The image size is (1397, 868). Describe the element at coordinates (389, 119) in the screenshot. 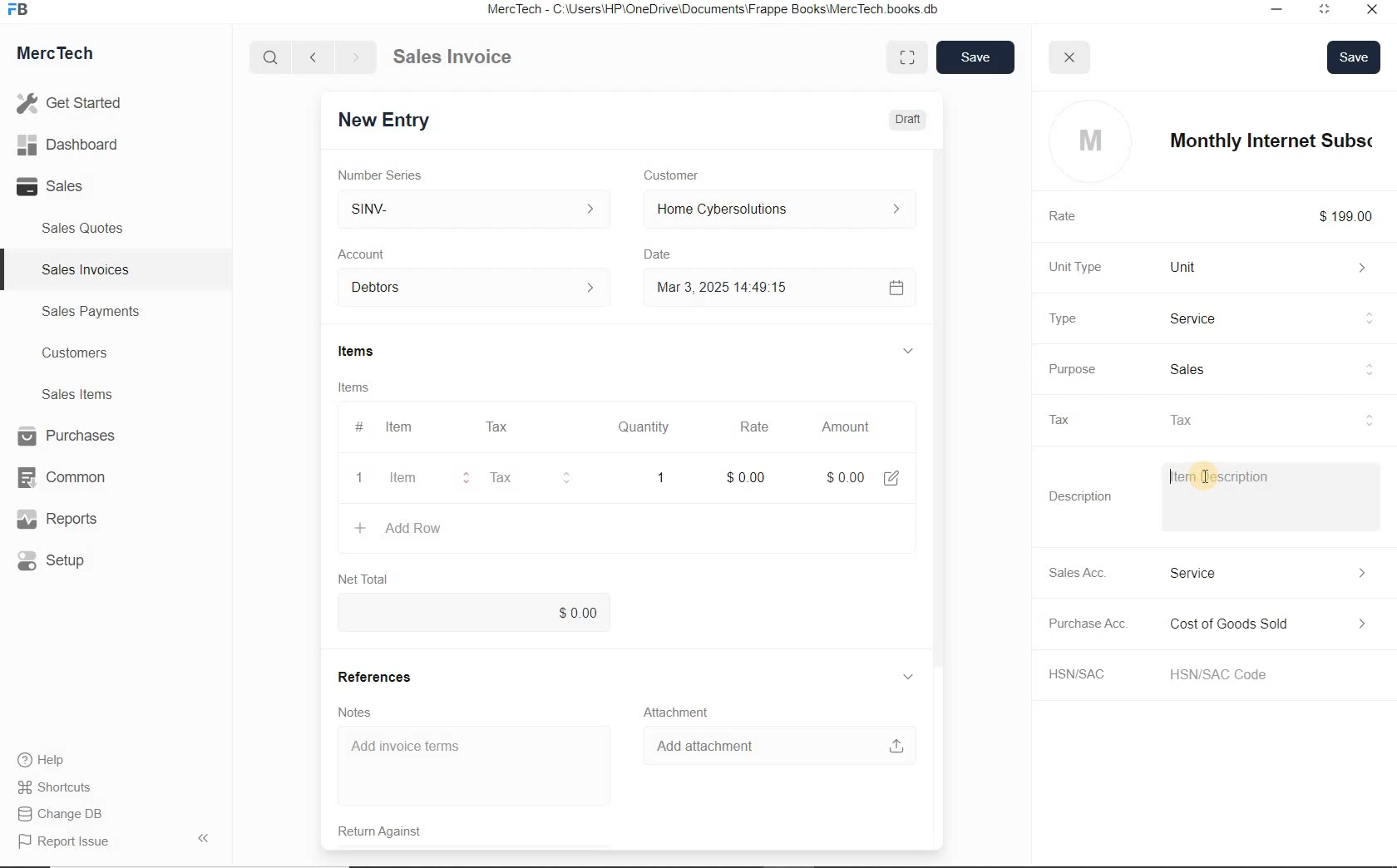

I see `New Entry` at that location.